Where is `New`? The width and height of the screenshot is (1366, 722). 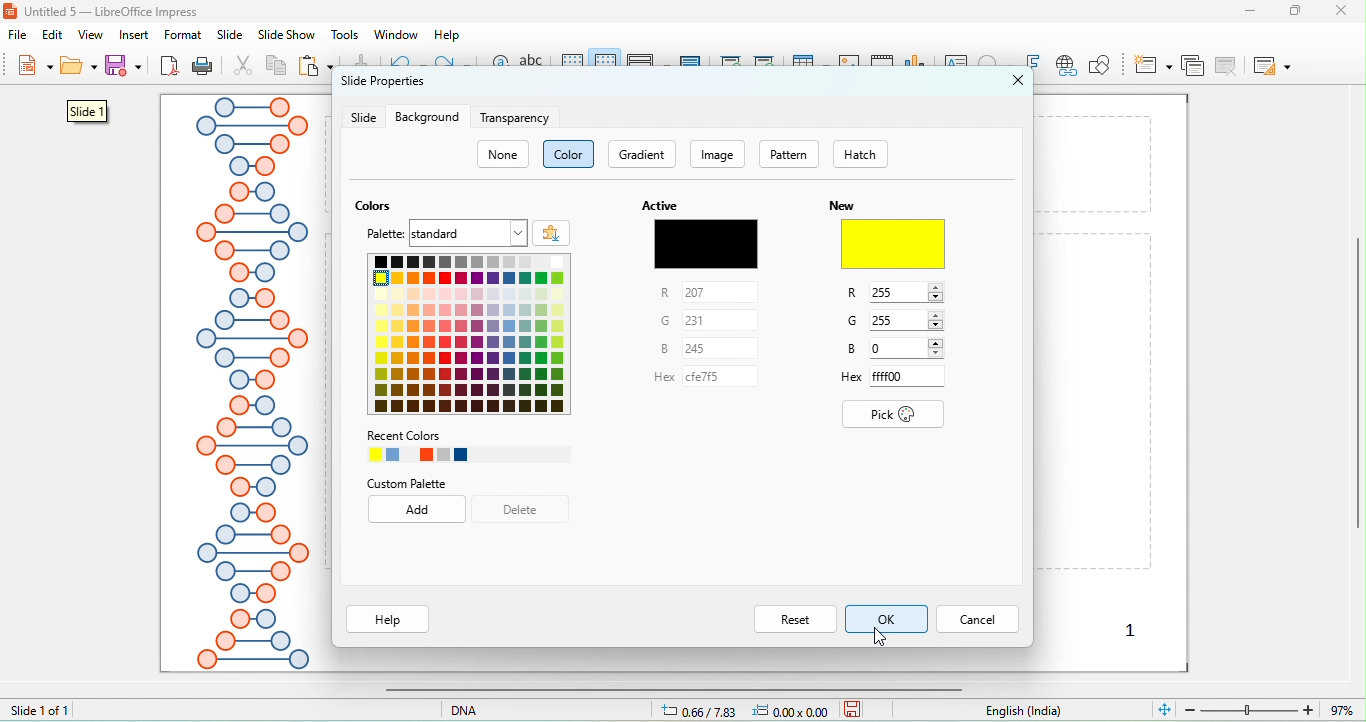 New is located at coordinates (842, 205).